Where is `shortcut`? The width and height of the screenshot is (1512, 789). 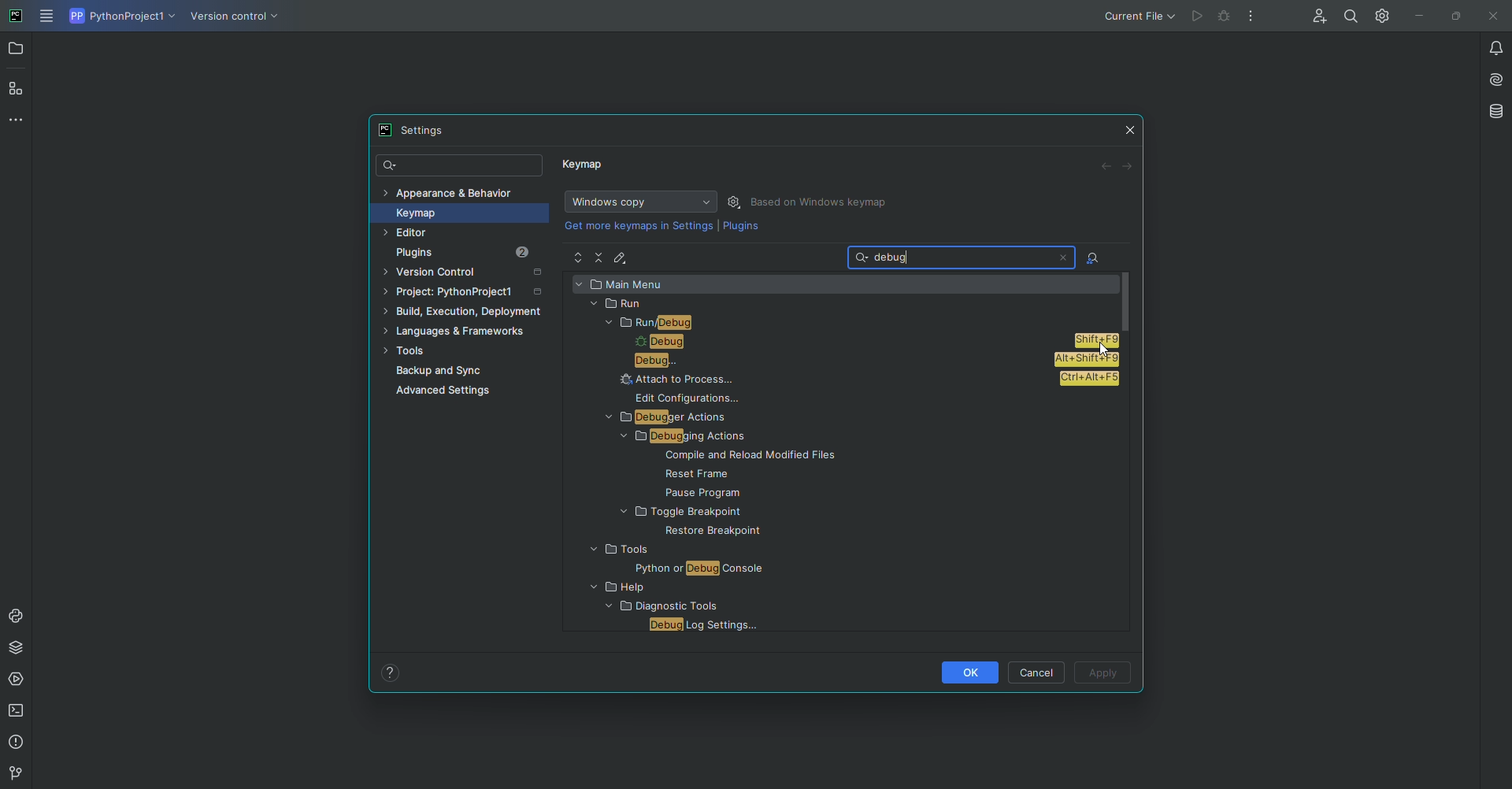
shortcut is located at coordinates (1097, 342).